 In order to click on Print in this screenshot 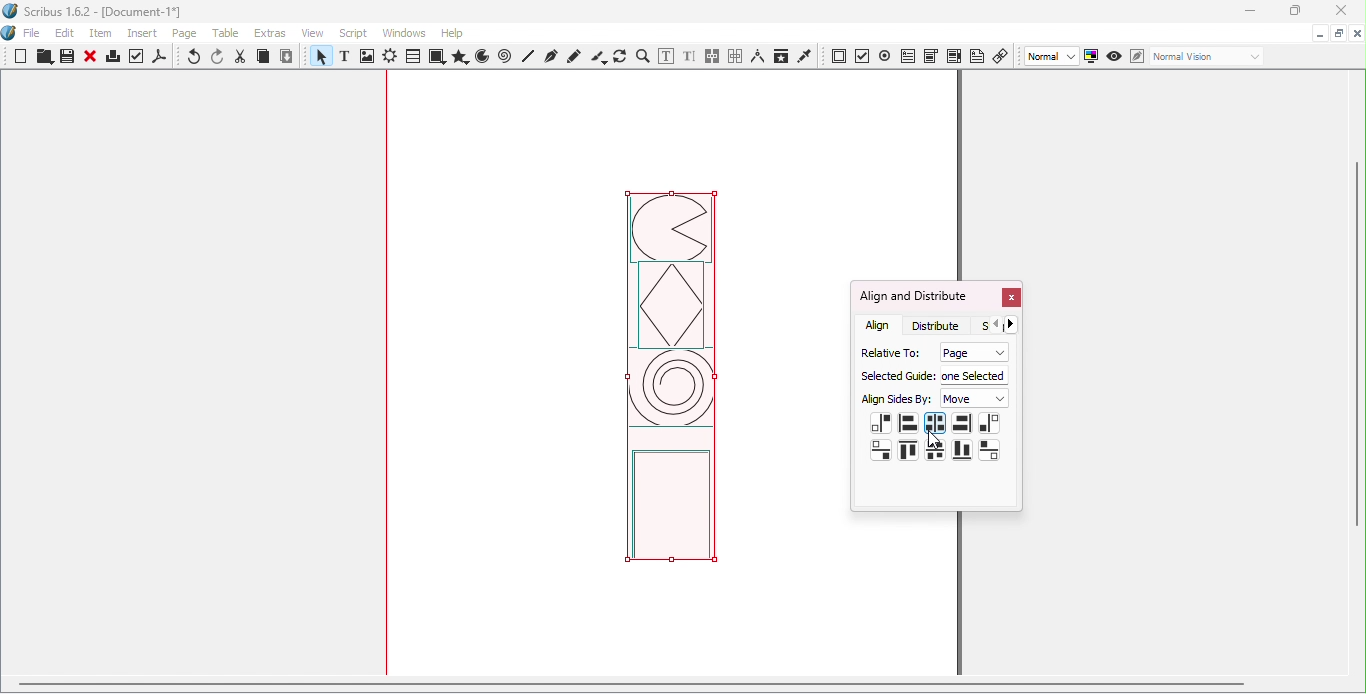, I will do `click(112, 59)`.